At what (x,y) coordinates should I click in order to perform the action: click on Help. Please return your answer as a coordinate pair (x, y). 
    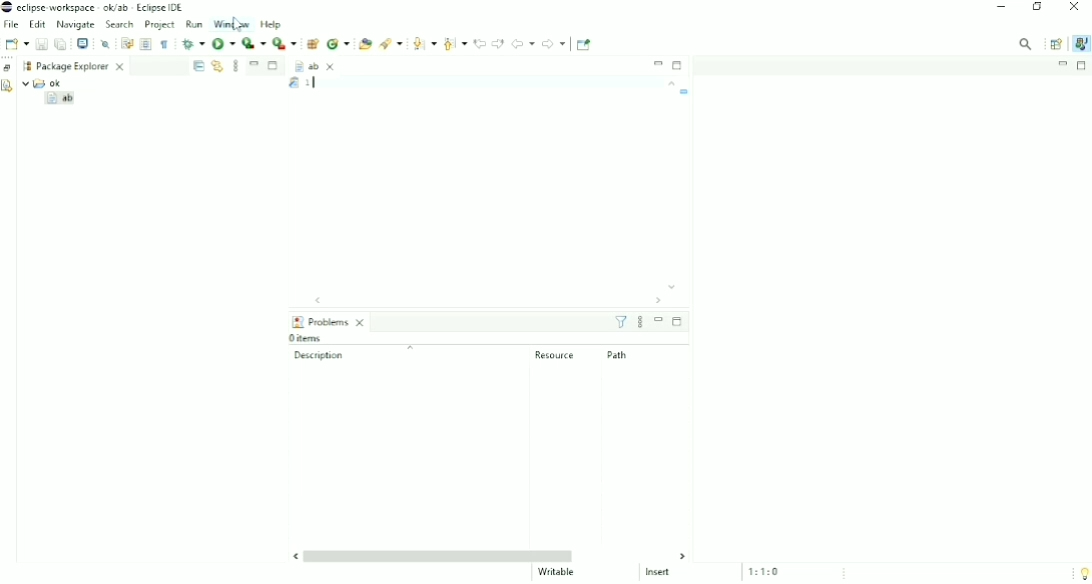
    Looking at the image, I should click on (272, 25).